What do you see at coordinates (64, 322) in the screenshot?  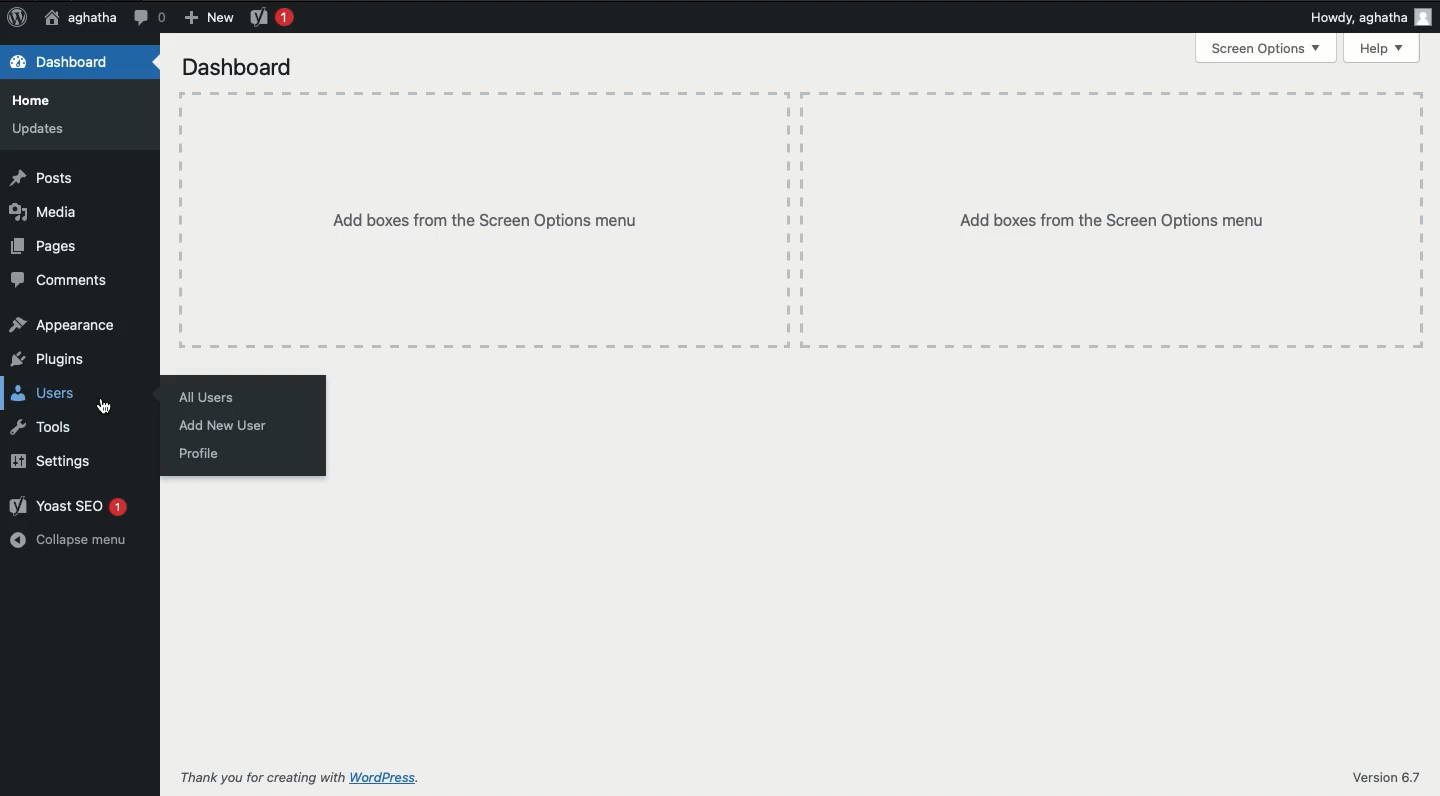 I see `Appearance` at bounding box center [64, 322].